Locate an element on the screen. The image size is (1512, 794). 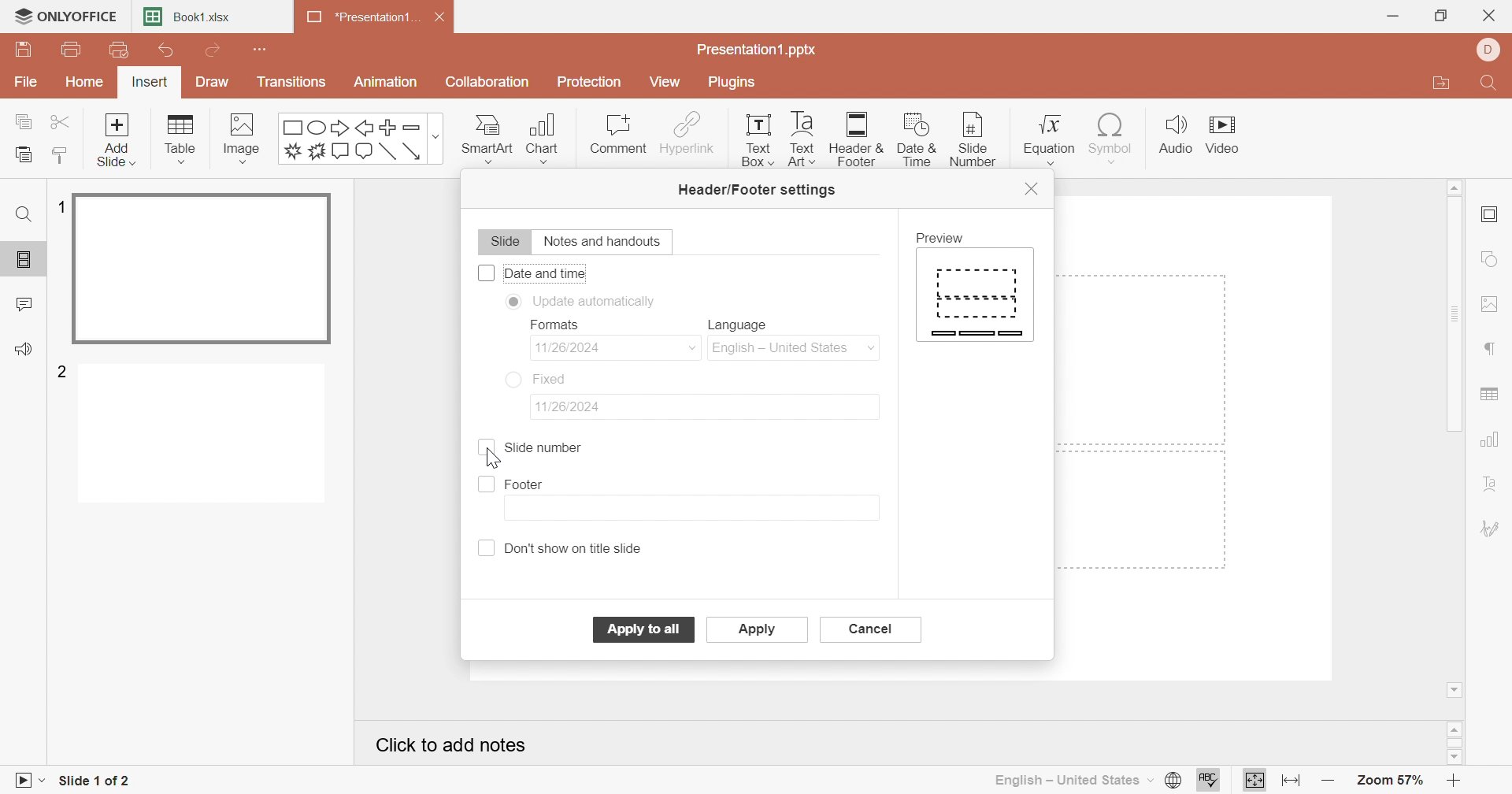
Set document language is located at coordinates (1171, 781).